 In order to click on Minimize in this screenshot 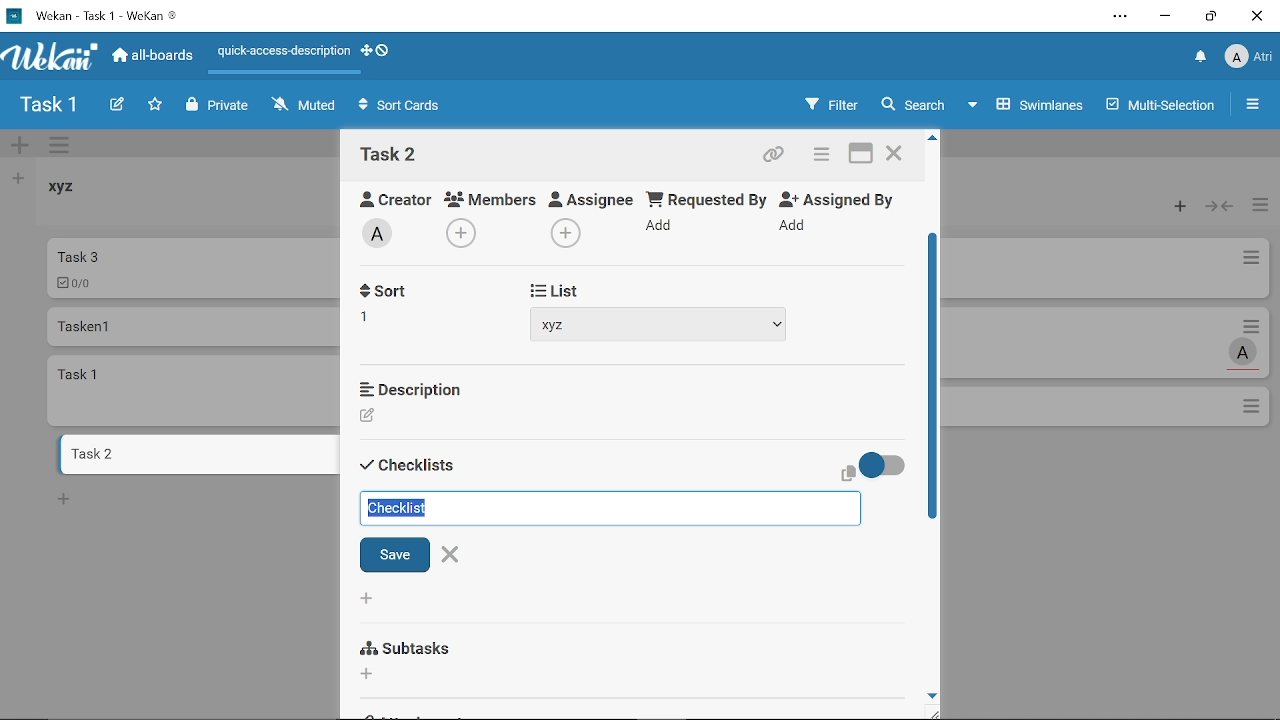, I will do `click(1166, 19)`.